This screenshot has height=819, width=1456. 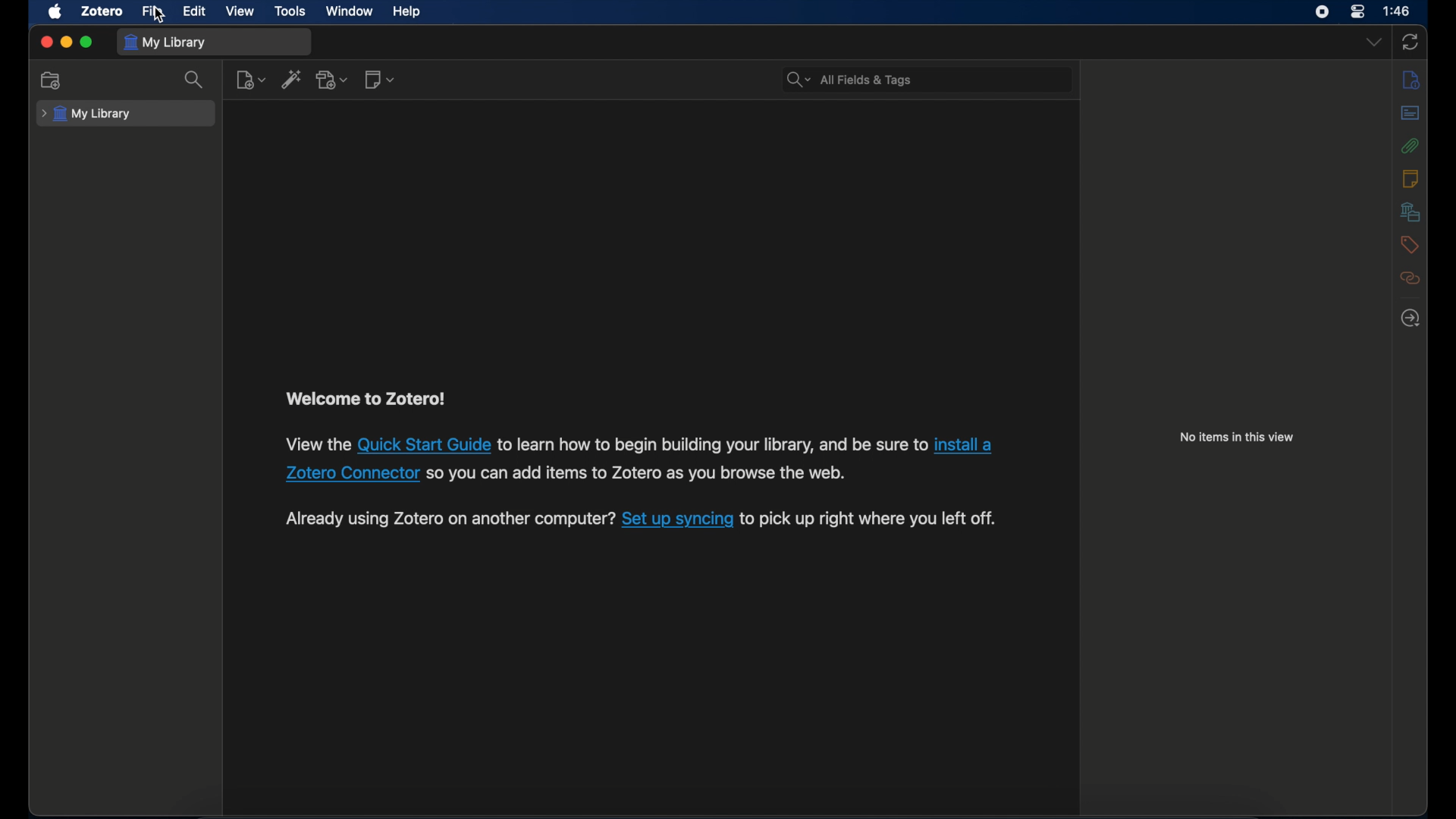 What do you see at coordinates (65, 42) in the screenshot?
I see `minimize` at bounding box center [65, 42].